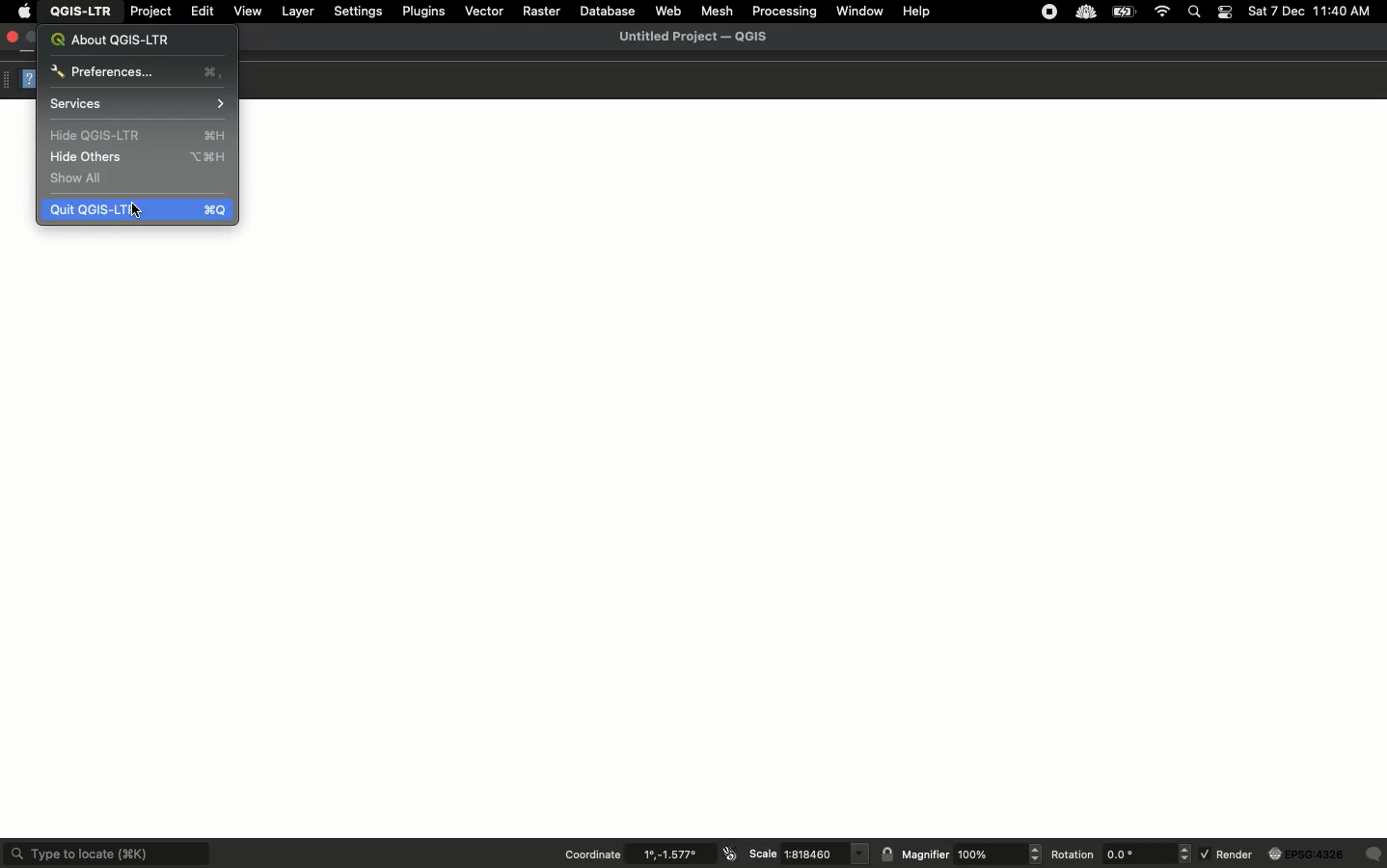 Image resolution: width=1387 pixels, height=868 pixels. Describe the element at coordinates (971, 854) in the screenshot. I see `Magnifier` at that location.